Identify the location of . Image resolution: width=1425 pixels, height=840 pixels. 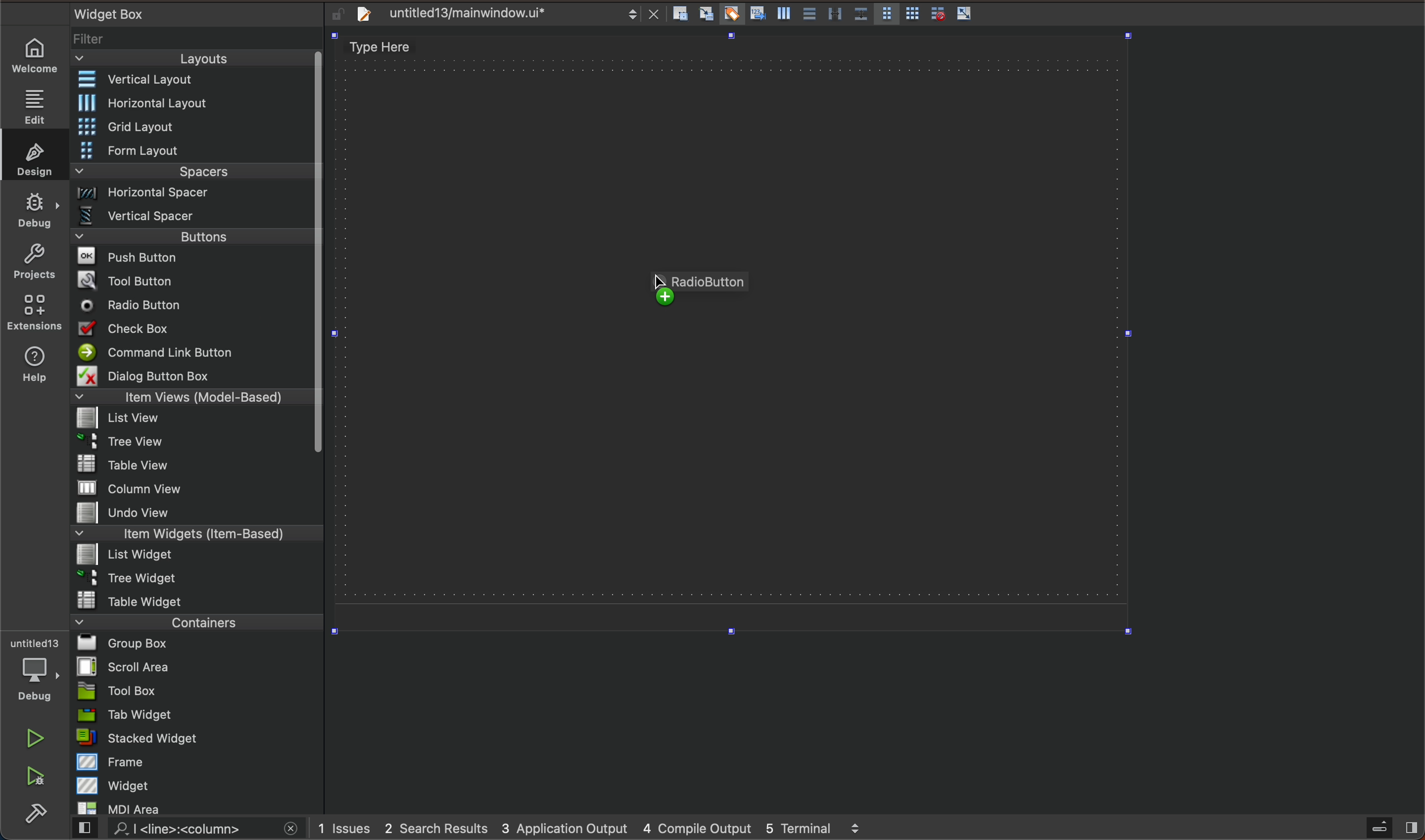
(730, 15).